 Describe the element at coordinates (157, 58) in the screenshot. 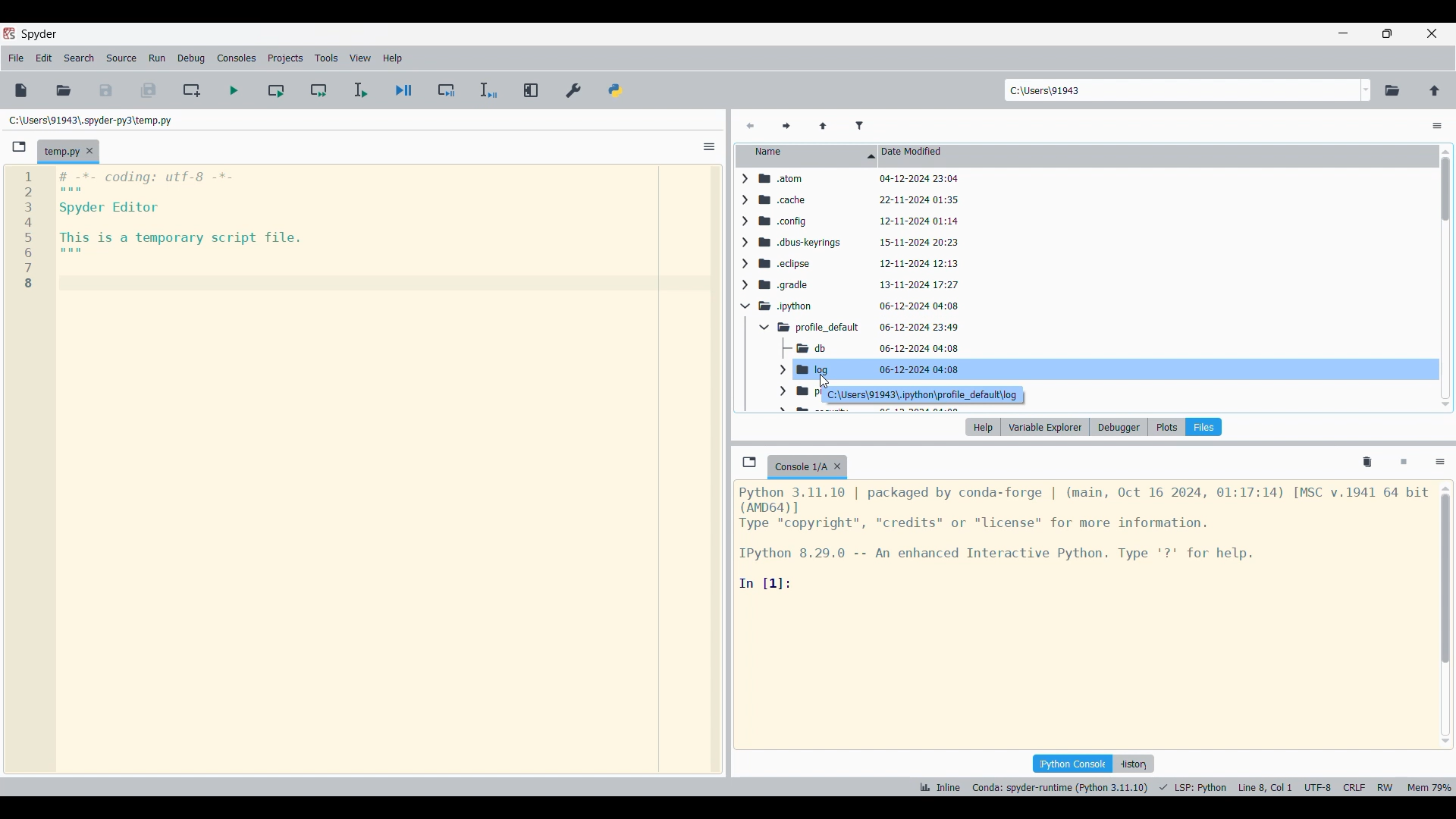

I see `Run menu` at that location.